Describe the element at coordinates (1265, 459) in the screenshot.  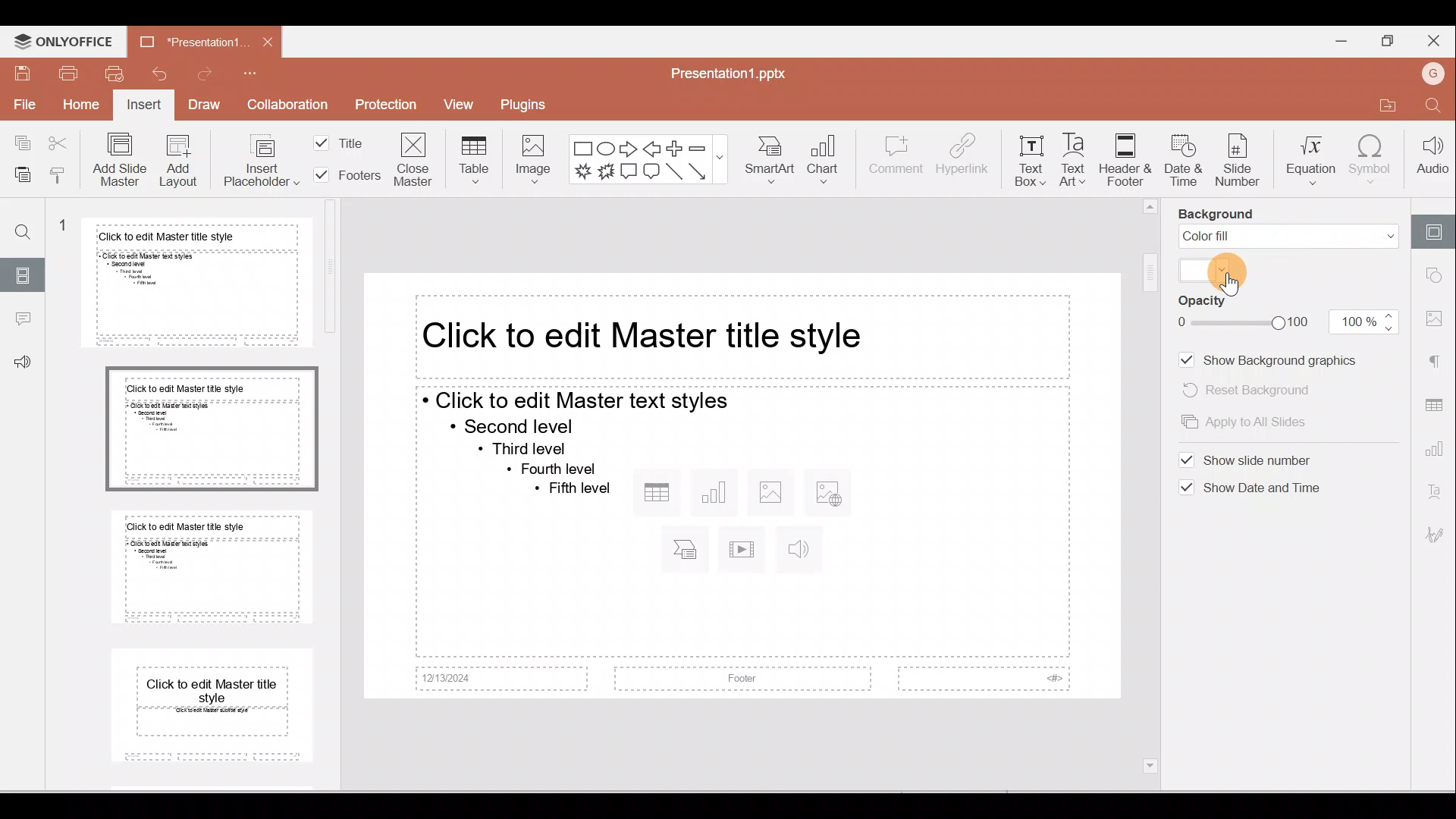
I see `Show slide number` at that location.